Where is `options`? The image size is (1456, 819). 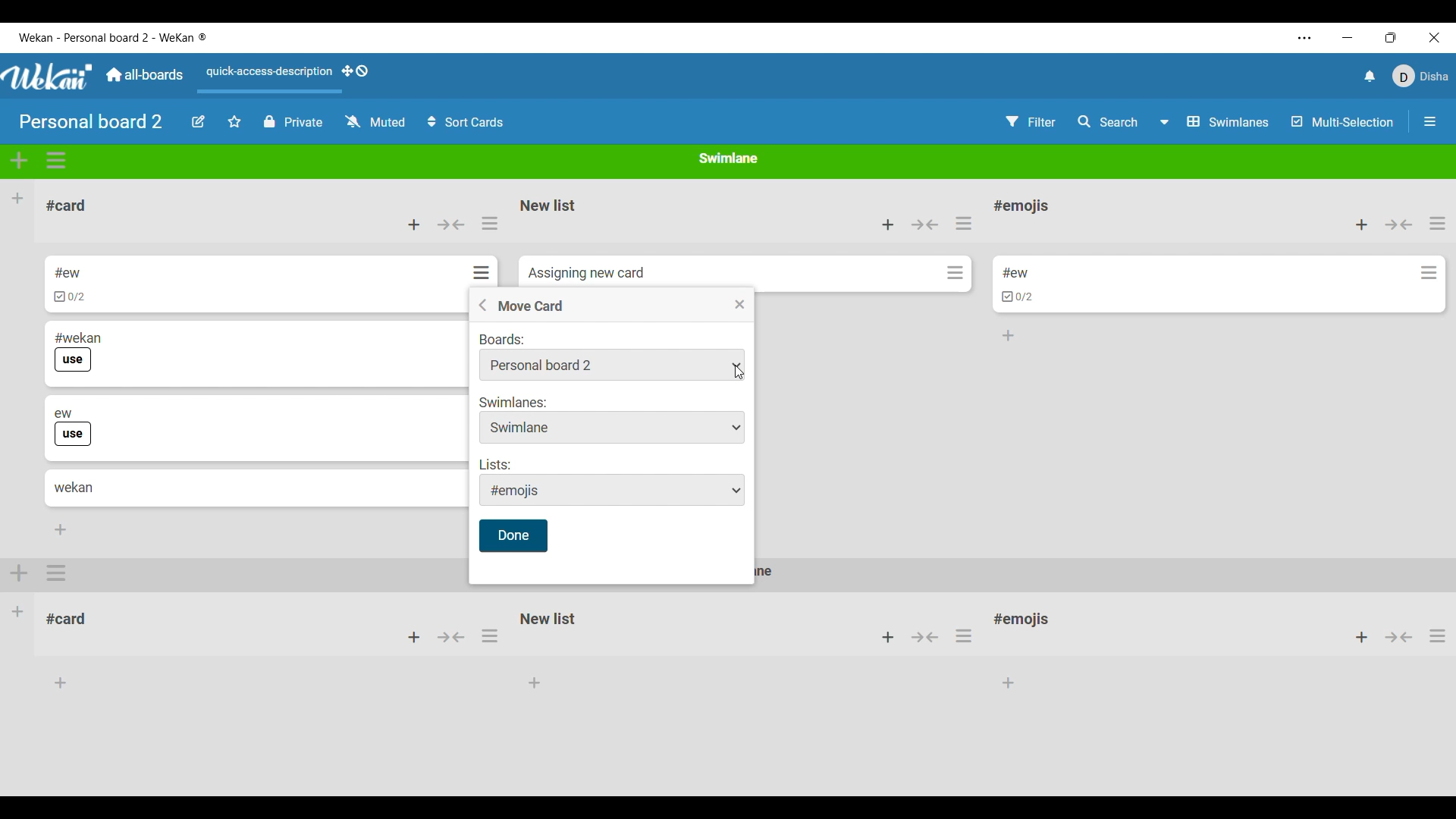
options is located at coordinates (1437, 641).